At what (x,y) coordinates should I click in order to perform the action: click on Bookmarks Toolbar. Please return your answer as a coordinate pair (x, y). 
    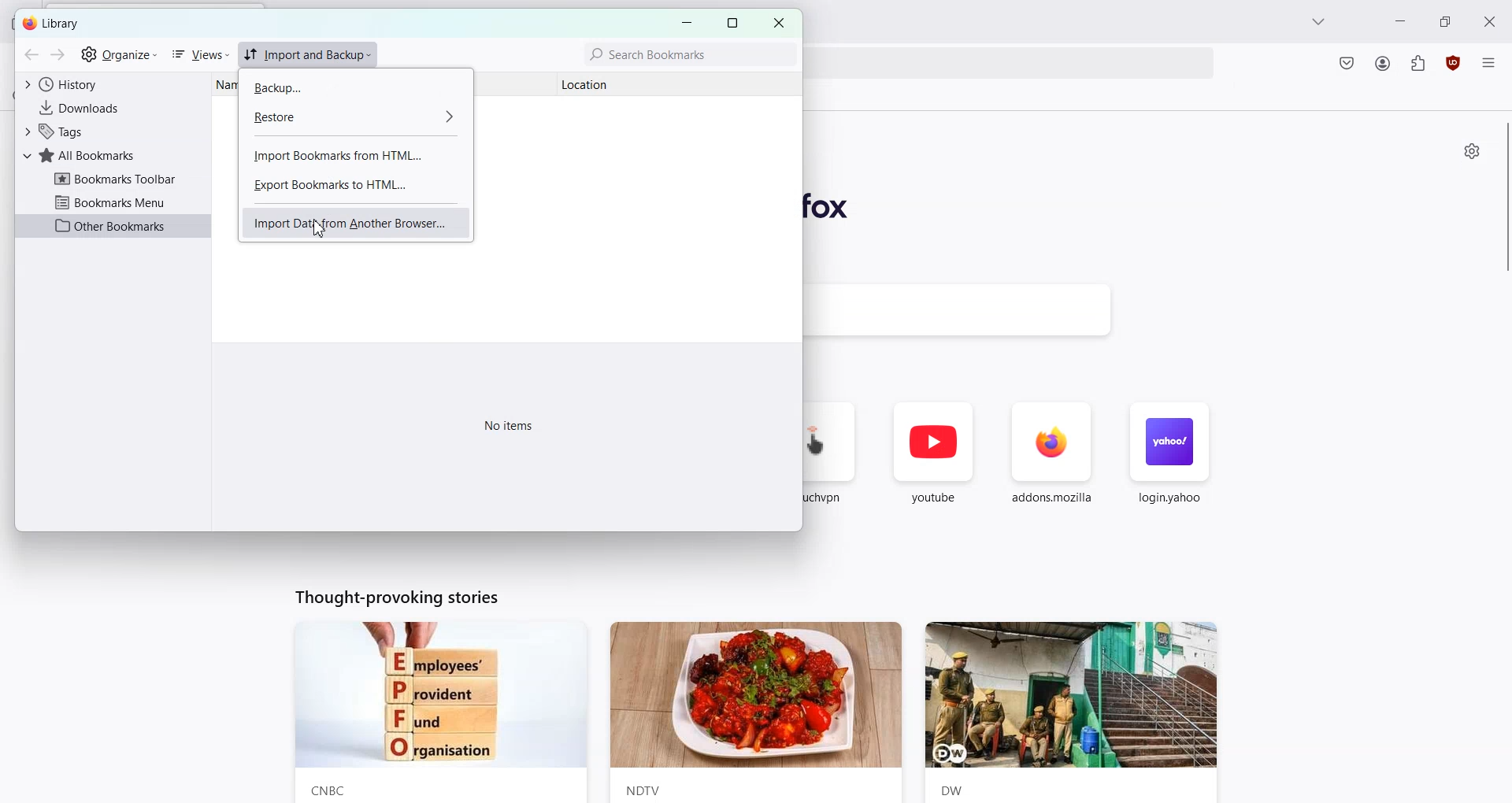
    Looking at the image, I should click on (115, 179).